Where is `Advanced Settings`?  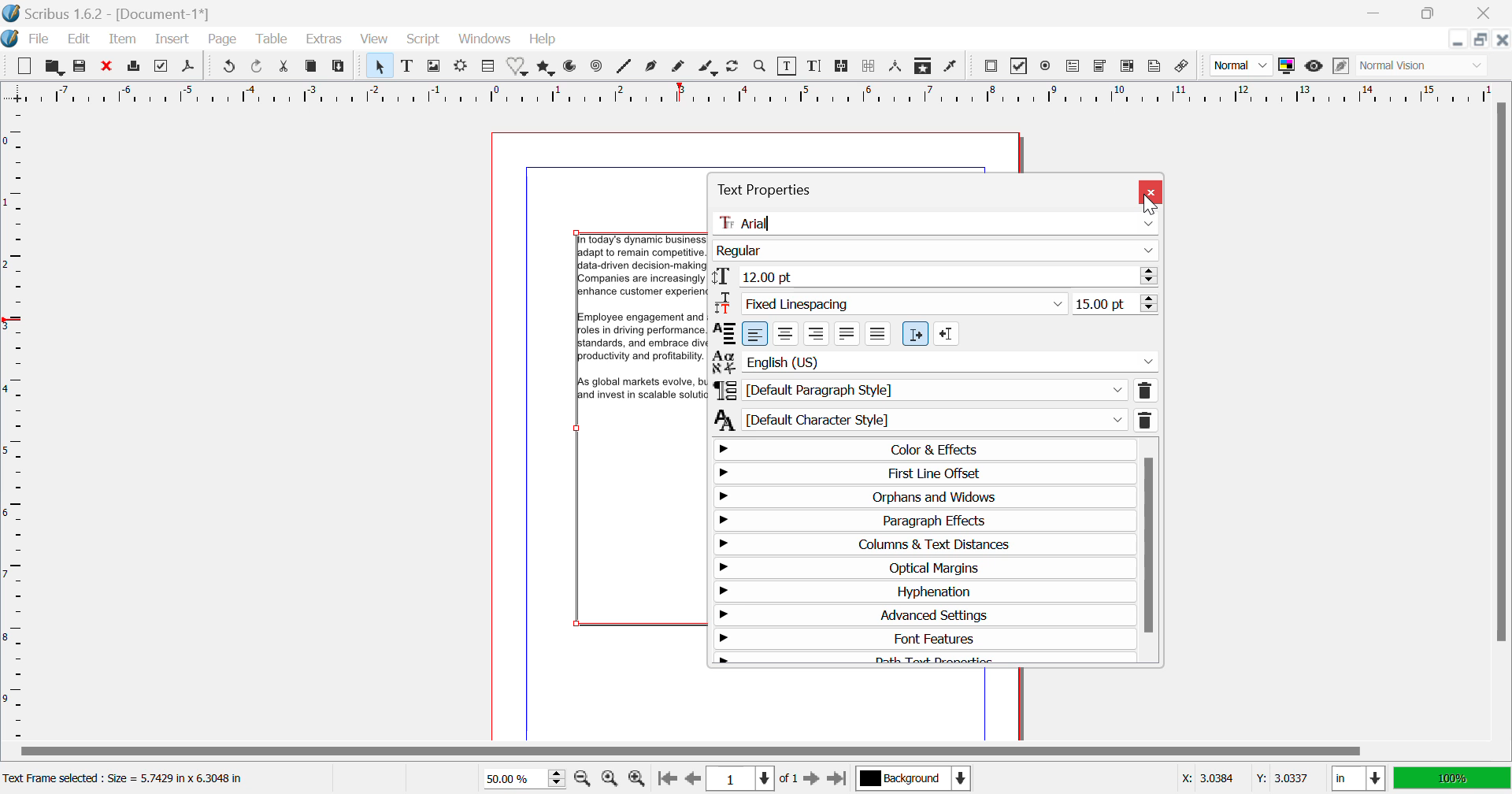 Advanced Settings is located at coordinates (921, 614).